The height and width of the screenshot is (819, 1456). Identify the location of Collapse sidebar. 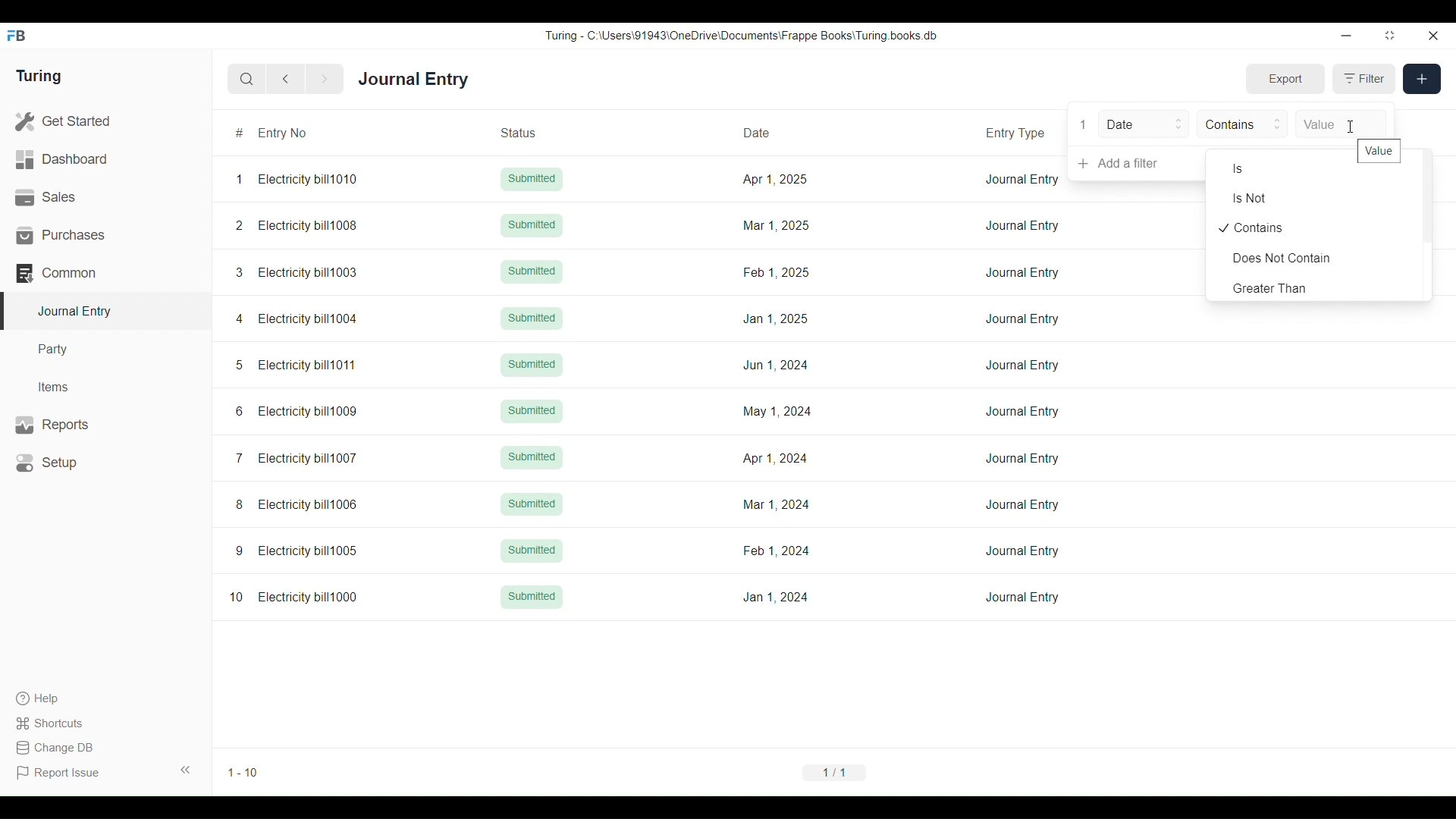
(186, 770).